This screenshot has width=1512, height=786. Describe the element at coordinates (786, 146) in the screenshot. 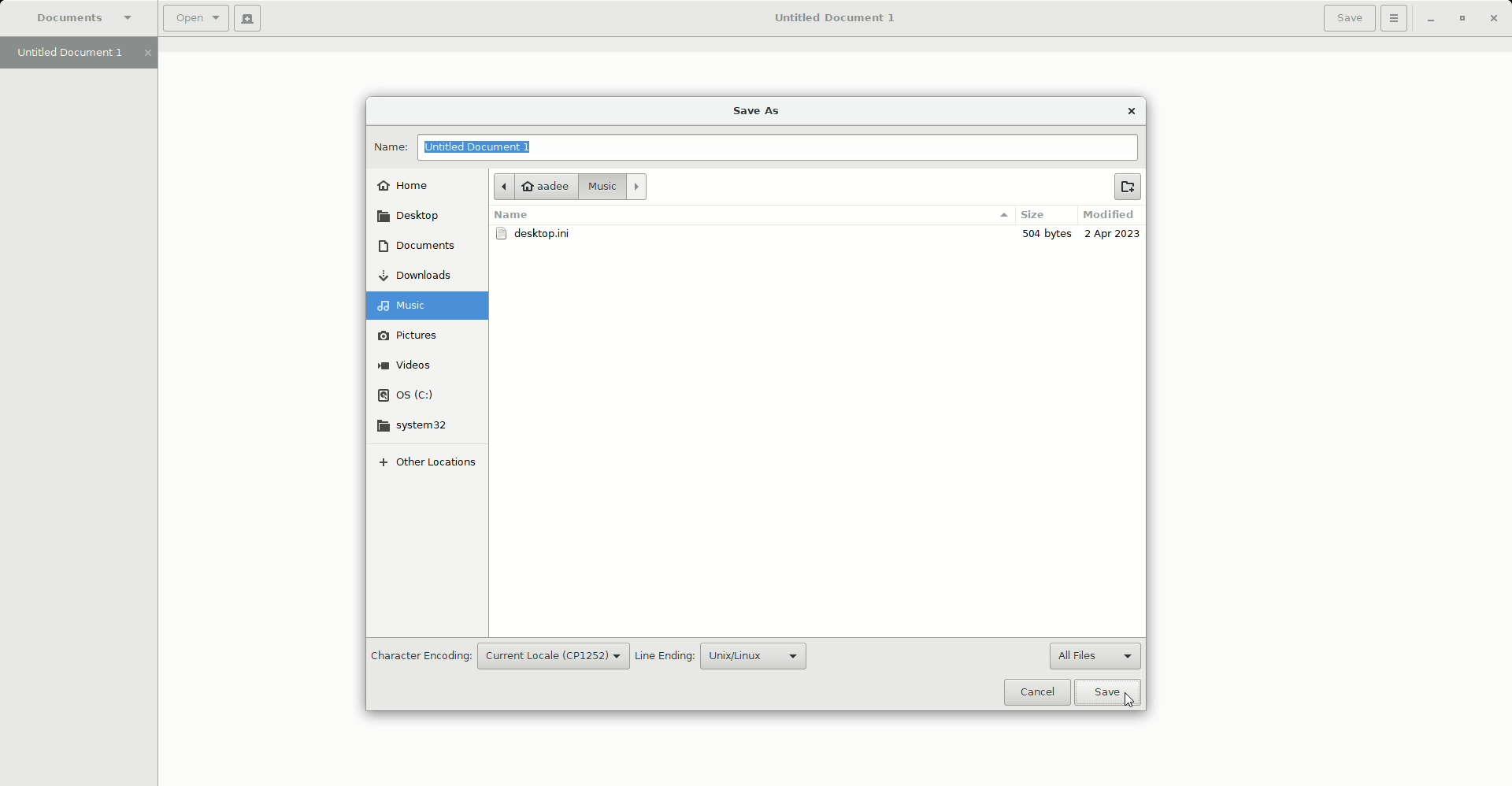

I see `File name` at that location.